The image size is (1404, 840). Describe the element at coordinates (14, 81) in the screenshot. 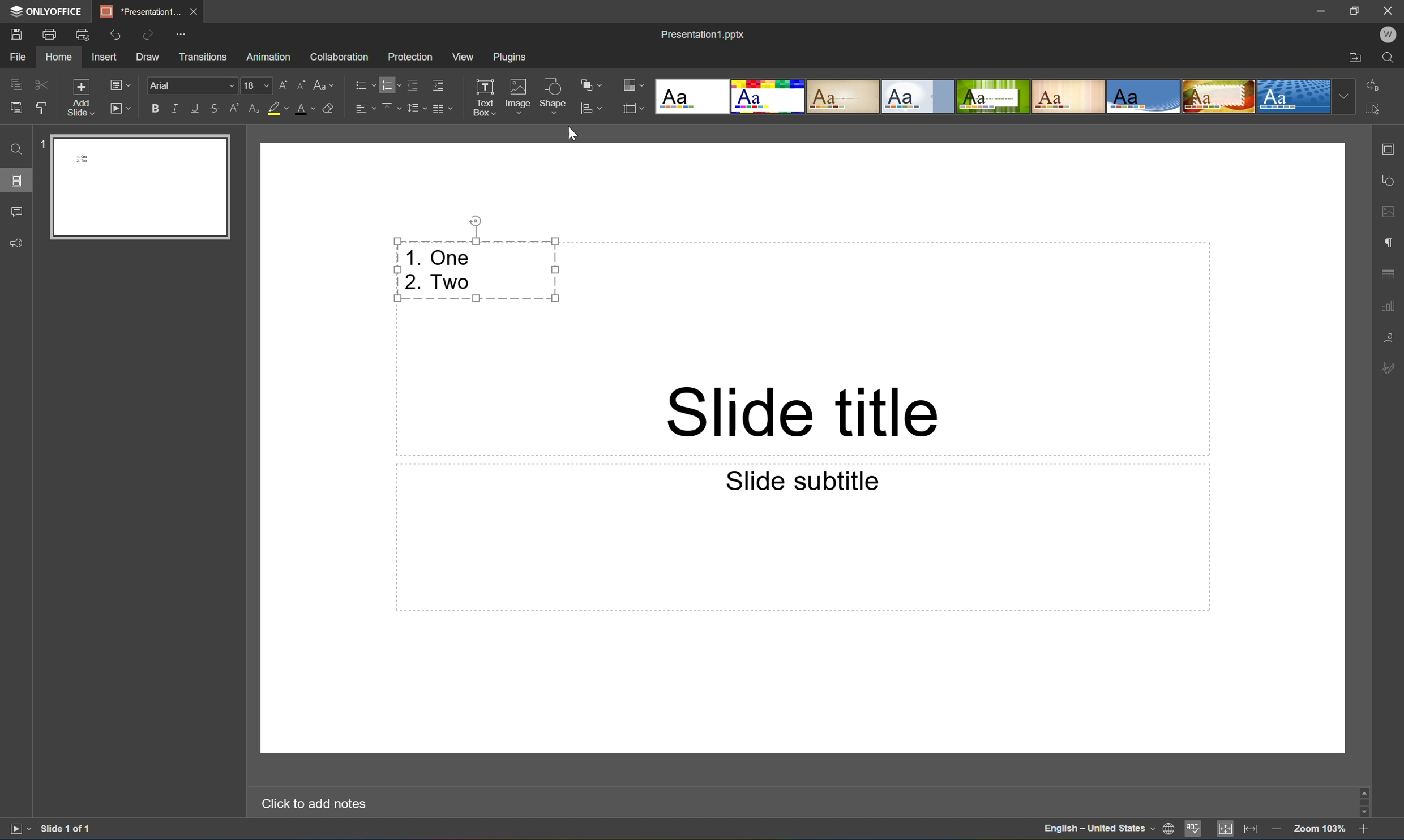

I see `Copy` at that location.